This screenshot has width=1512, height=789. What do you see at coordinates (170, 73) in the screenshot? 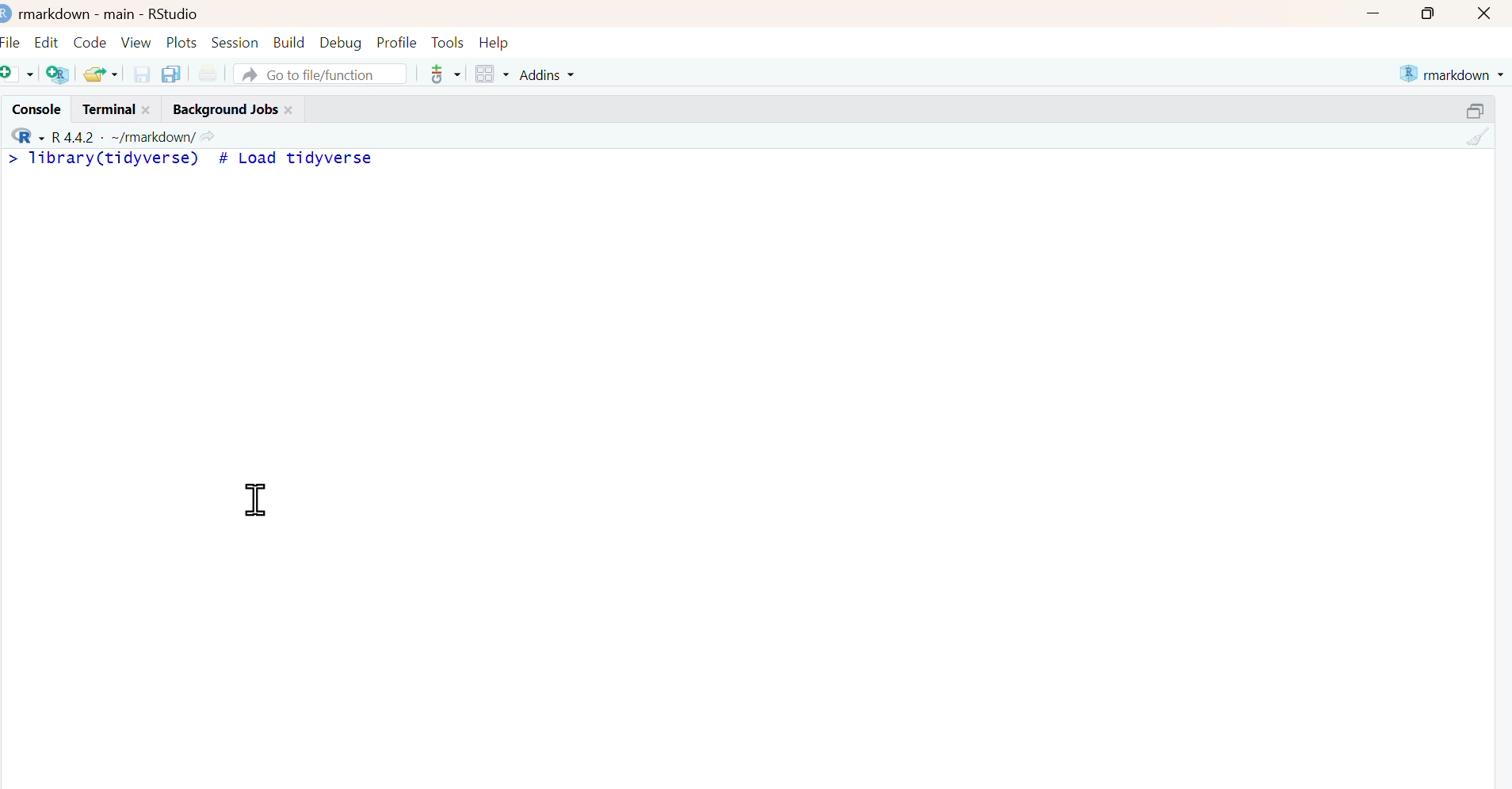
I see `save all` at bounding box center [170, 73].